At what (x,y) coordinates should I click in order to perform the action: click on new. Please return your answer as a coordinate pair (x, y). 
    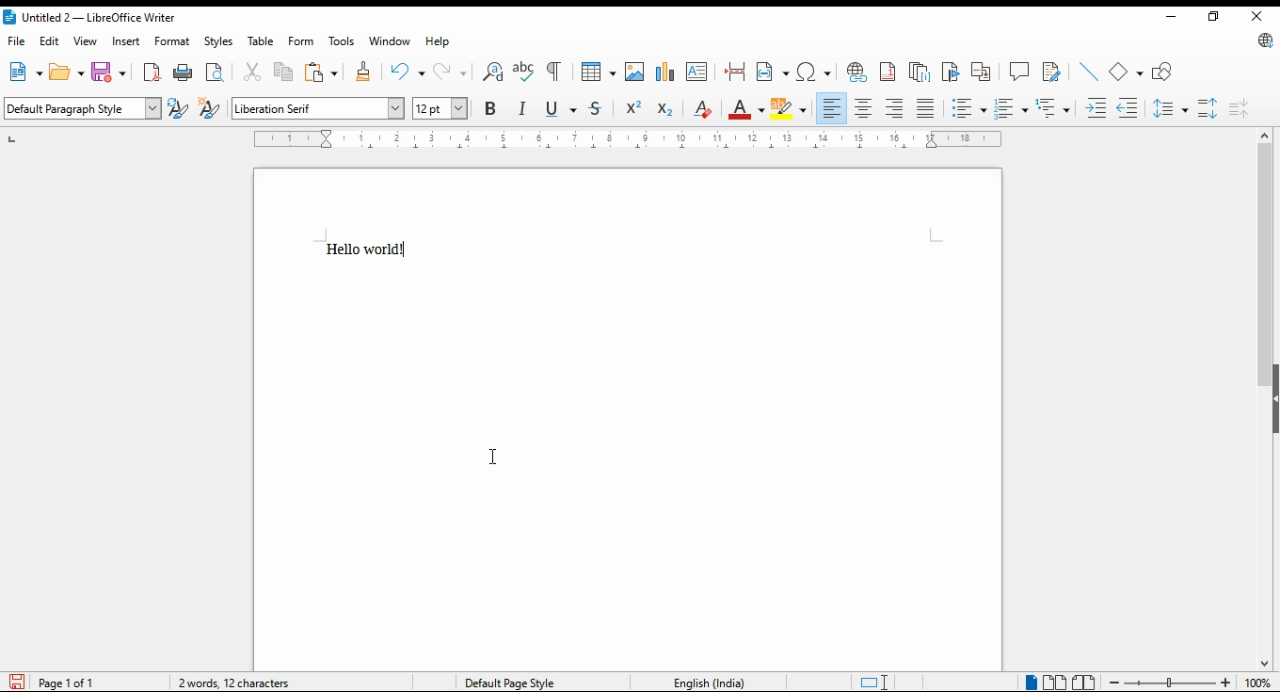
    Looking at the image, I should click on (22, 70).